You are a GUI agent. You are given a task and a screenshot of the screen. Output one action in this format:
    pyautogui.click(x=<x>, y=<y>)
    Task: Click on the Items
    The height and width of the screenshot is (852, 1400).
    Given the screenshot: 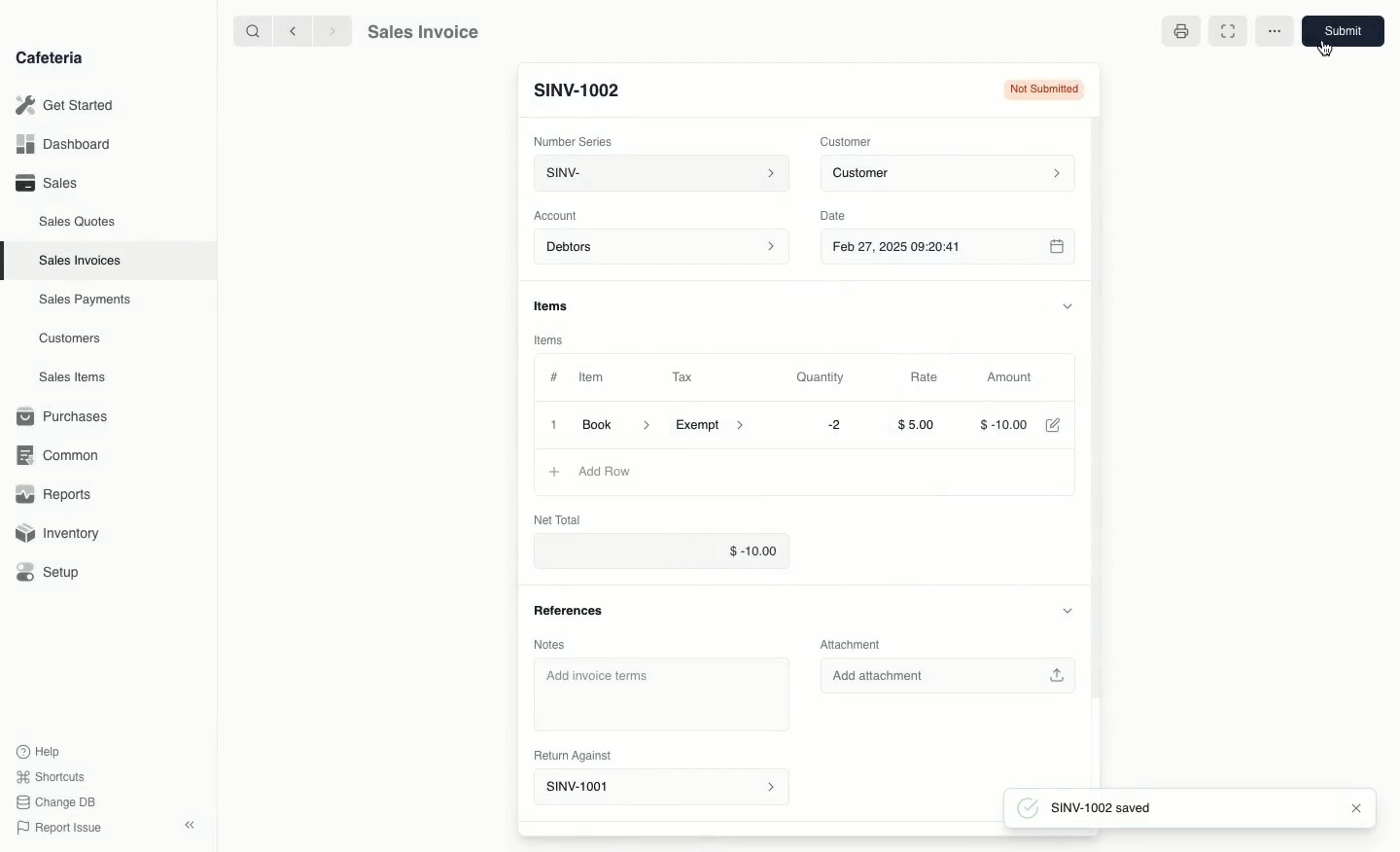 What is the action you would take?
    pyautogui.click(x=554, y=305)
    